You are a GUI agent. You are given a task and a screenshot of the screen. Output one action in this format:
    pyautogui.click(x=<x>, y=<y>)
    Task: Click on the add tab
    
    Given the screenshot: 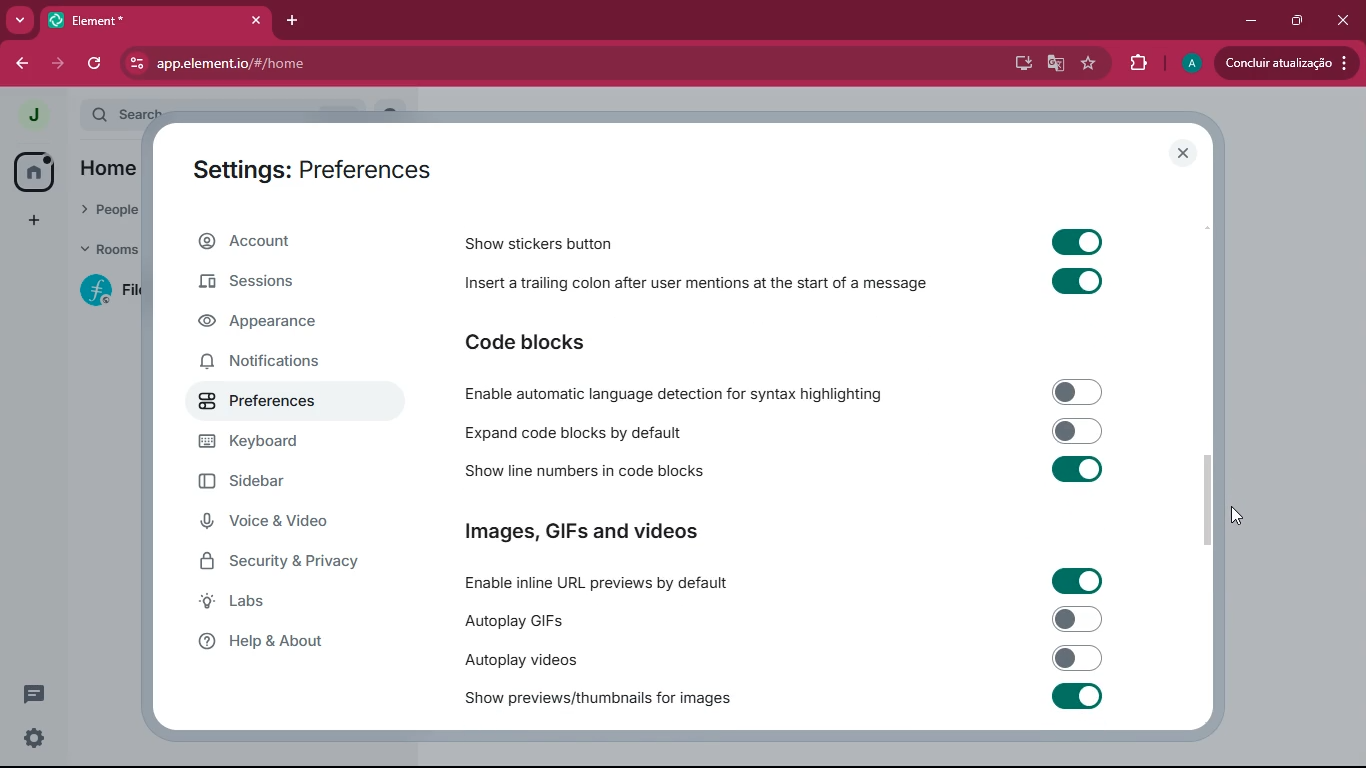 What is the action you would take?
    pyautogui.click(x=299, y=19)
    